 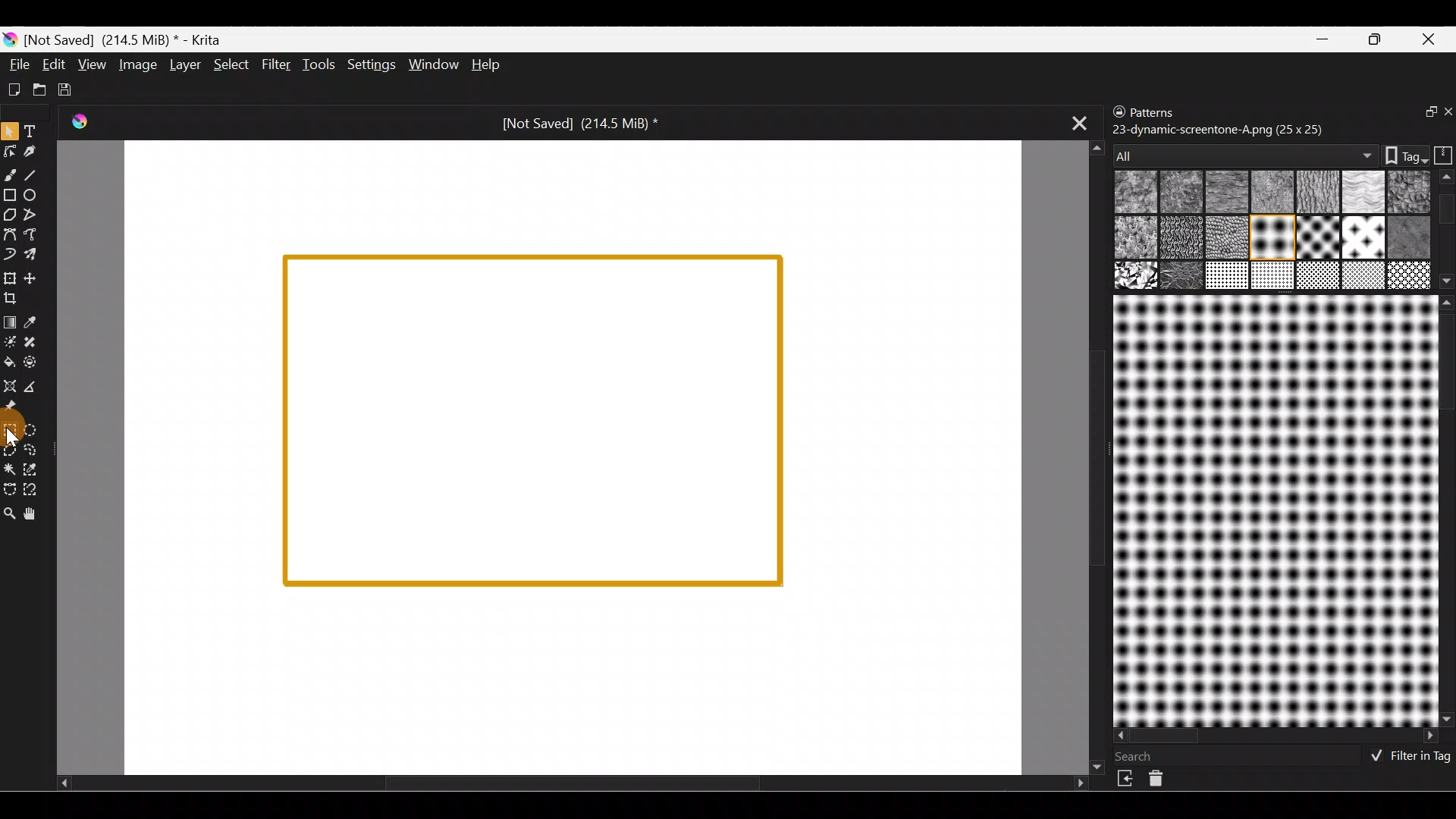 What do you see at coordinates (1223, 193) in the screenshot?
I see `02b Wooftissue.png` at bounding box center [1223, 193].